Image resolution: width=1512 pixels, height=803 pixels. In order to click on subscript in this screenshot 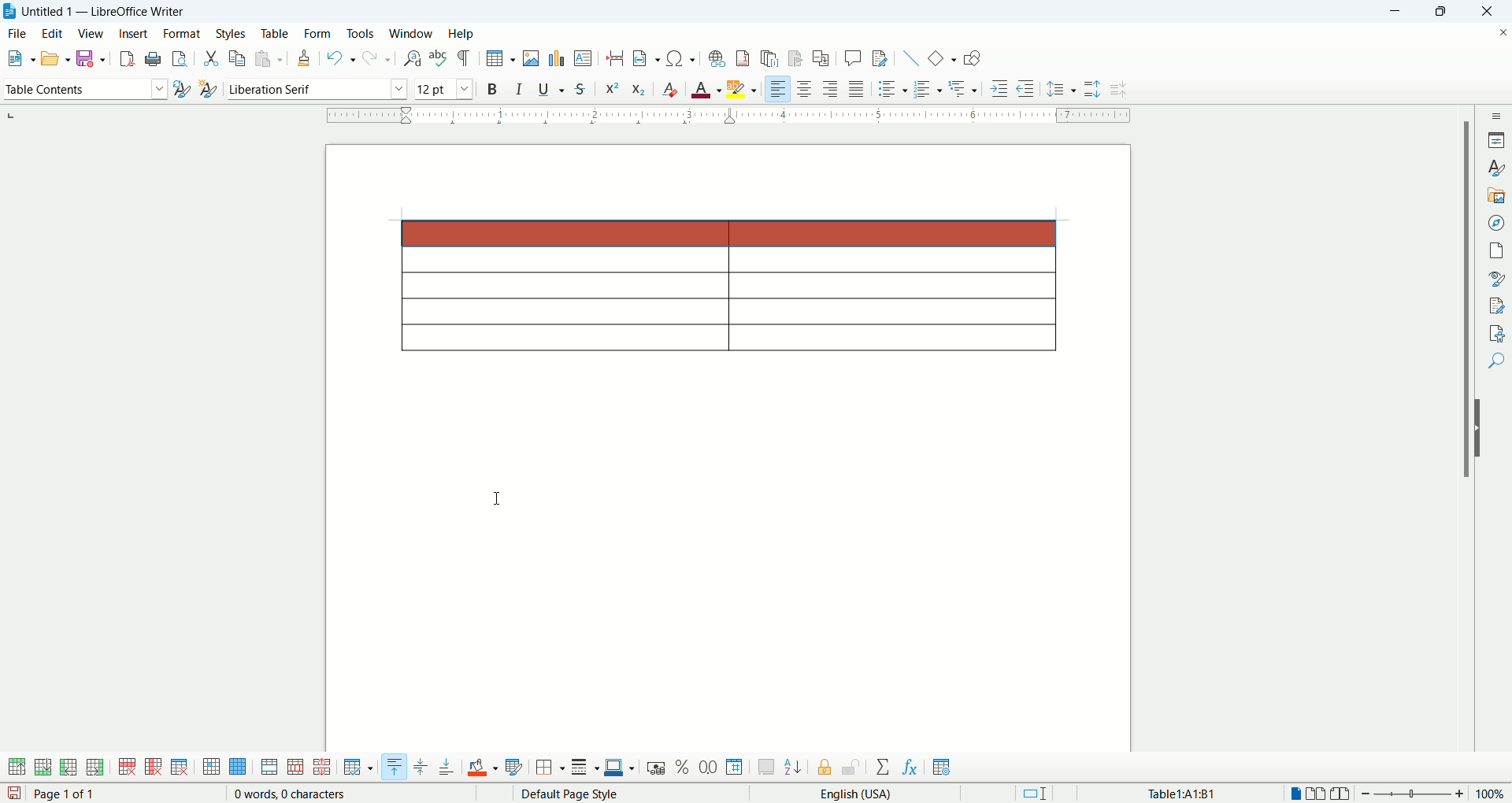, I will do `click(639, 87)`.